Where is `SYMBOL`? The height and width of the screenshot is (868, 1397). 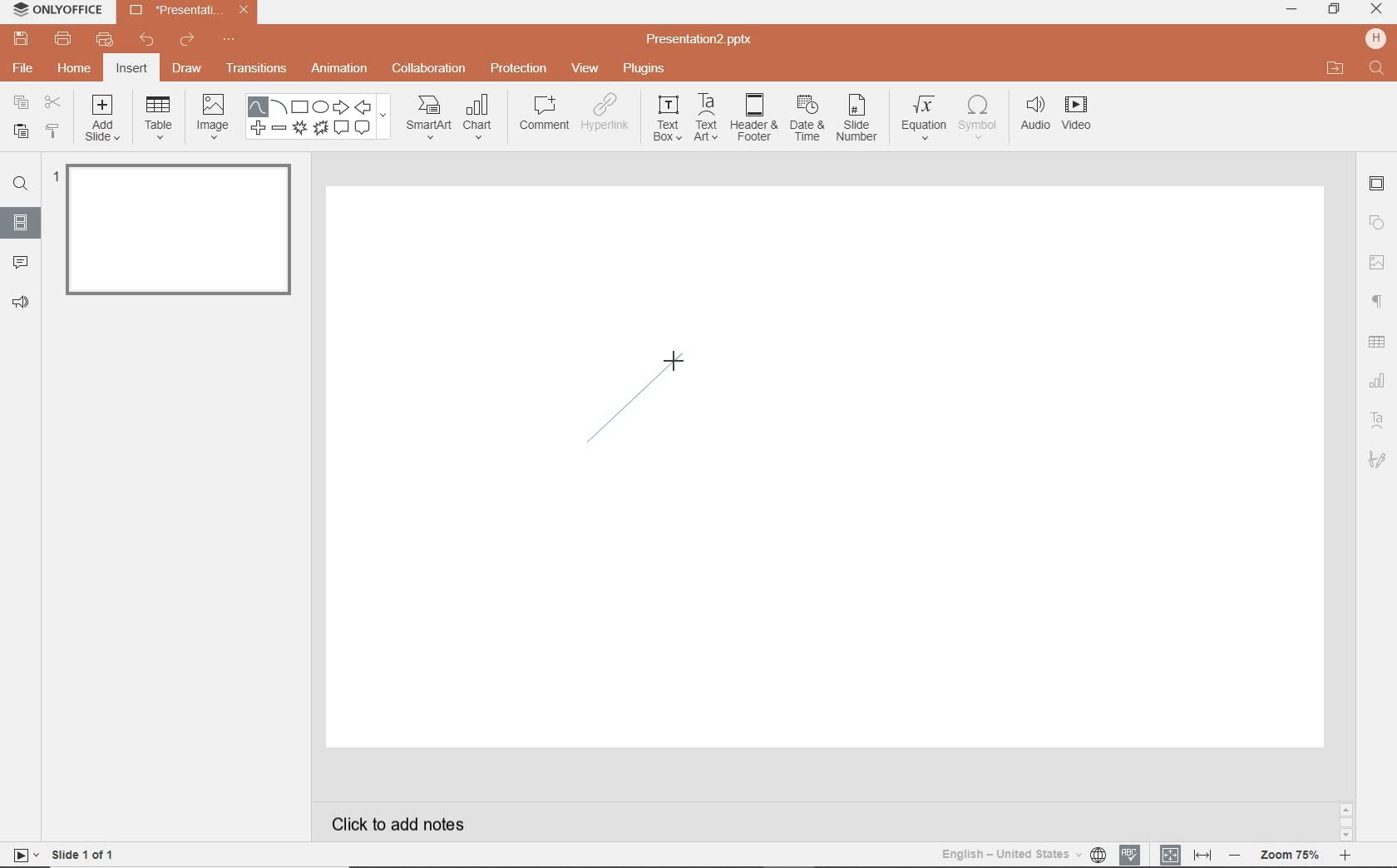
SYMBOL is located at coordinates (978, 117).